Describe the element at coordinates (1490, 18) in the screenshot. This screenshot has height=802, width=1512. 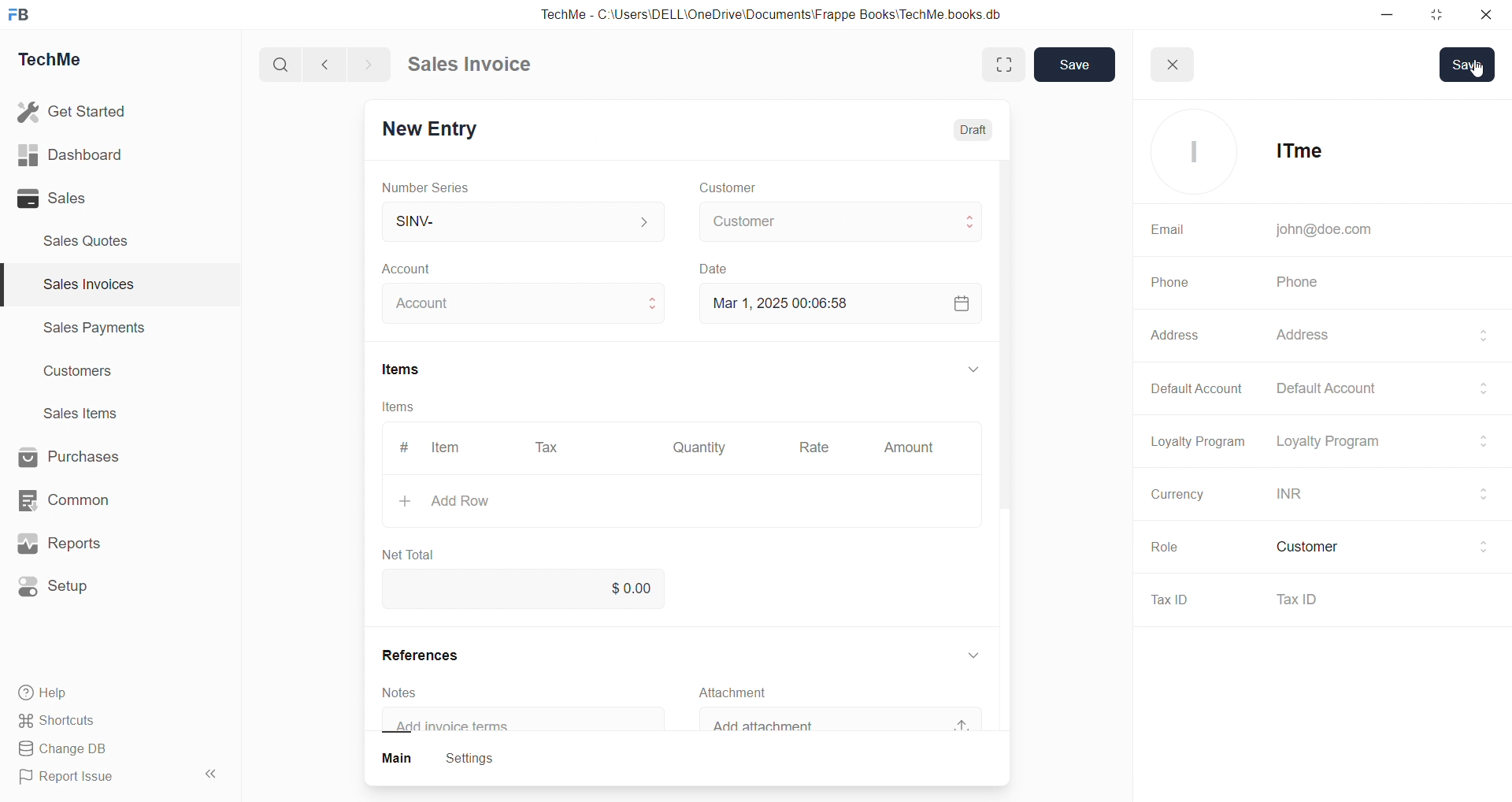
I see `Close` at that location.